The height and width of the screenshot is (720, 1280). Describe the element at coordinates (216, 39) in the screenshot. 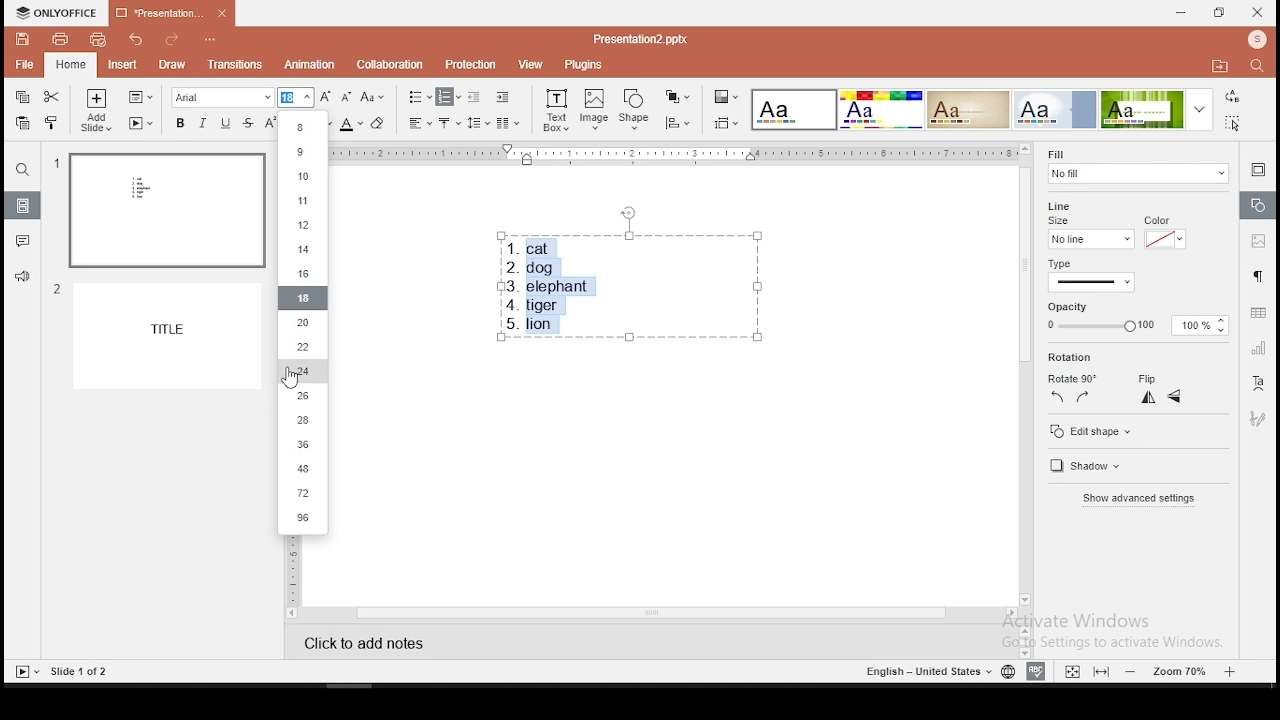

I see `customize quick access toolbar` at that location.